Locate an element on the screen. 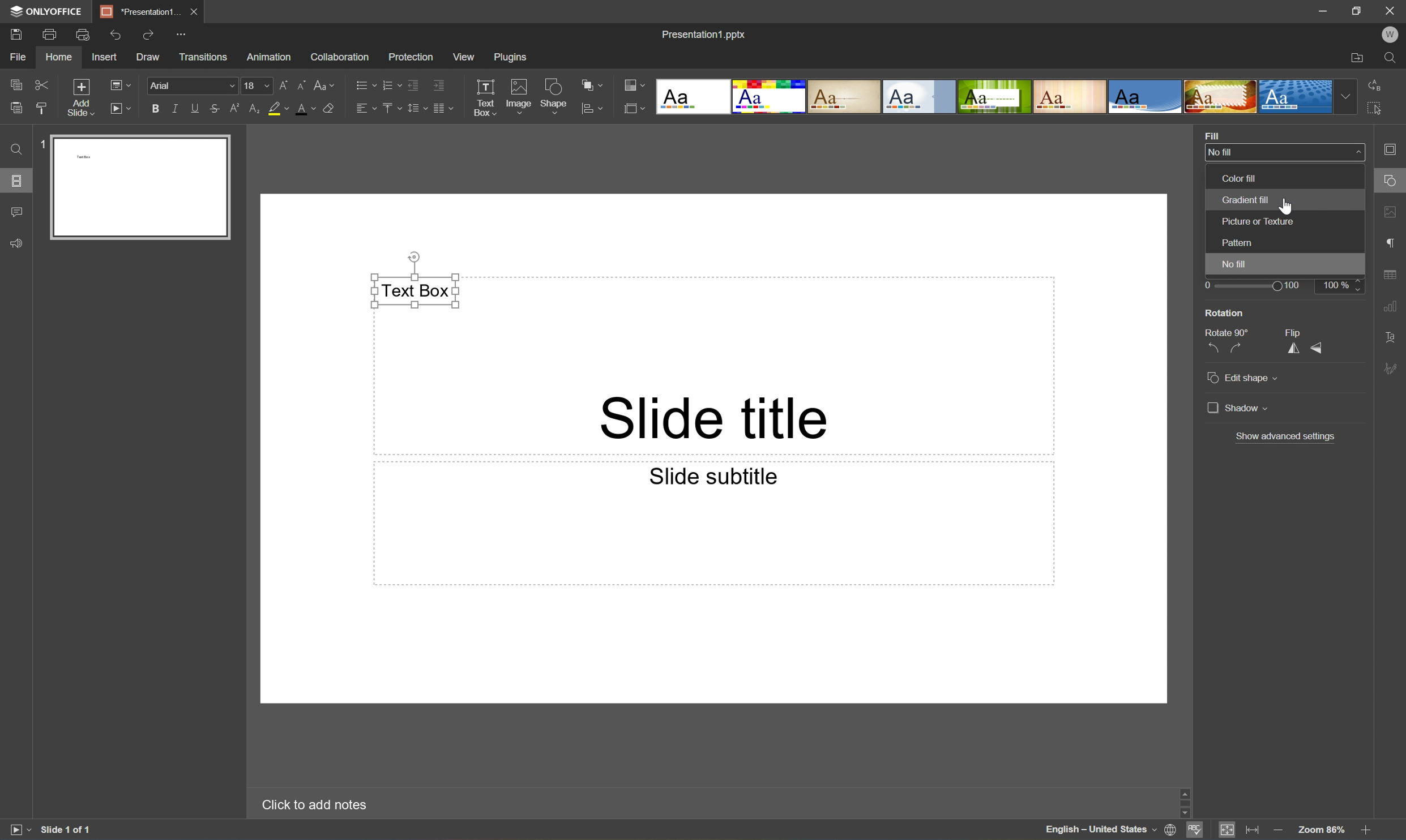 This screenshot has height=840, width=1406. Insert columns is located at coordinates (444, 110).